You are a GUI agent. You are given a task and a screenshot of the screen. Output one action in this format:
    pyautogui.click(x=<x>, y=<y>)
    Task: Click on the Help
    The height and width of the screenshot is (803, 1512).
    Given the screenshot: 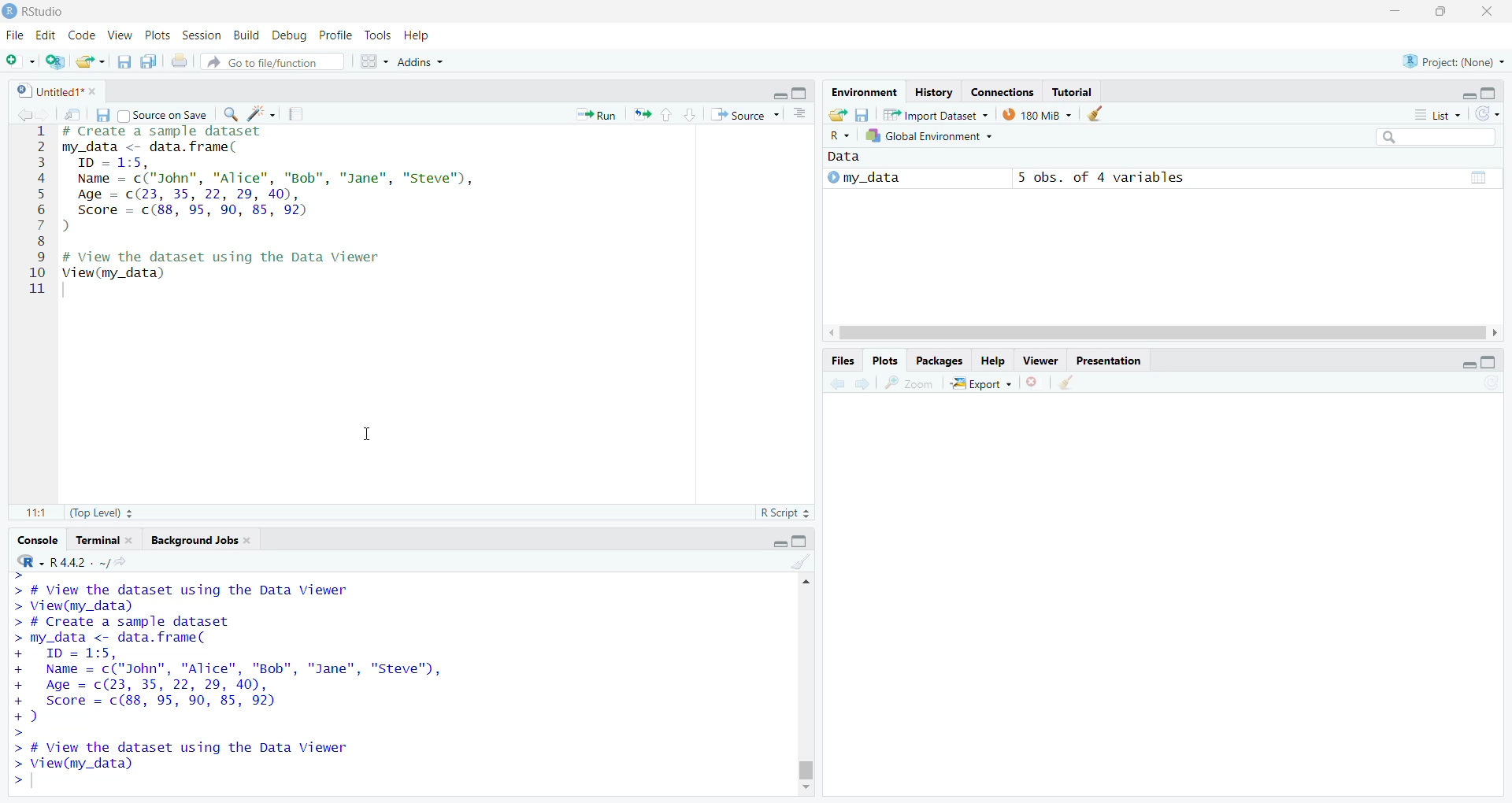 What is the action you would take?
    pyautogui.click(x=994, y=359)
    